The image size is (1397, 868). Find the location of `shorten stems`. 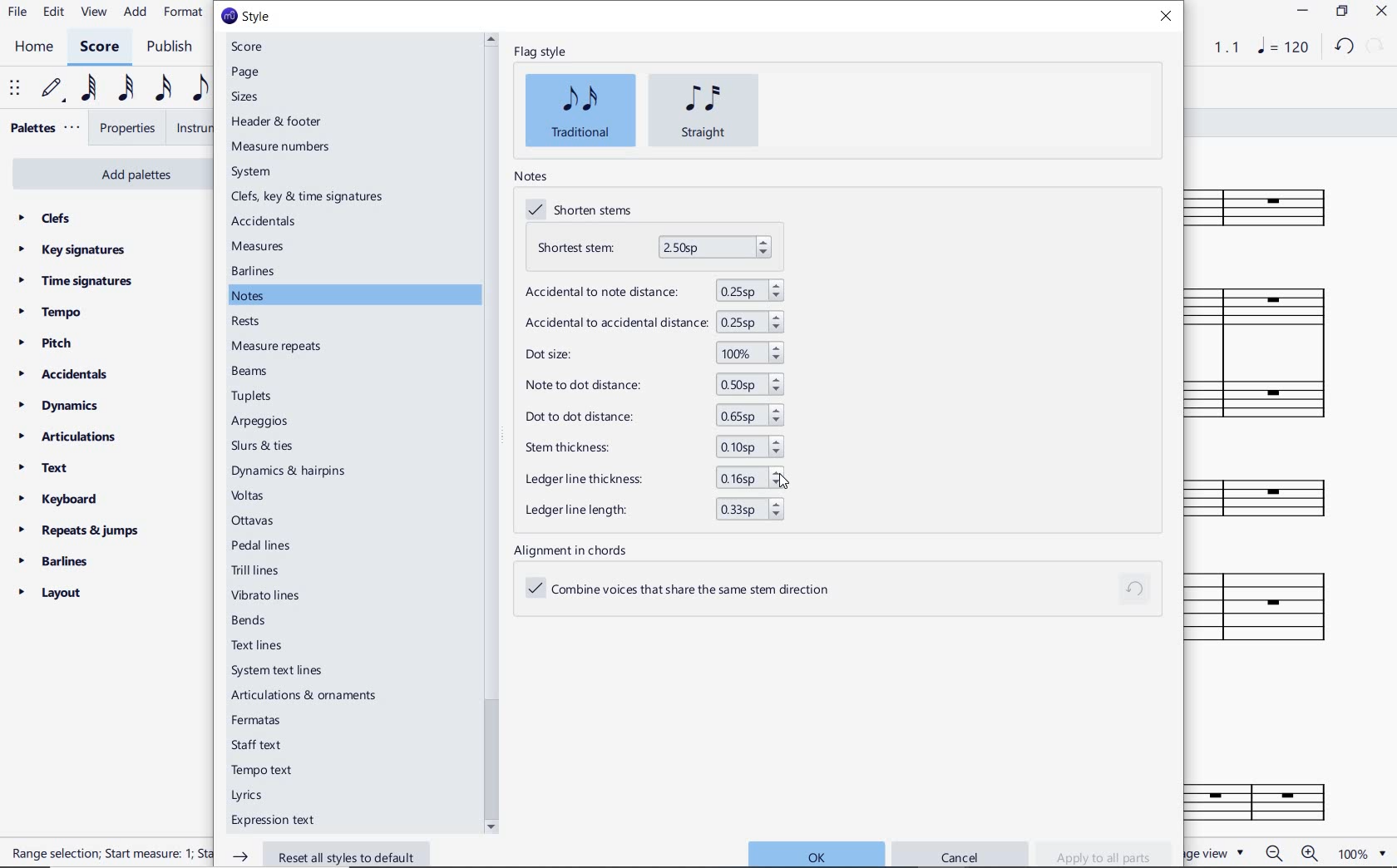

shorten stems is located at coordinates (584, 211).